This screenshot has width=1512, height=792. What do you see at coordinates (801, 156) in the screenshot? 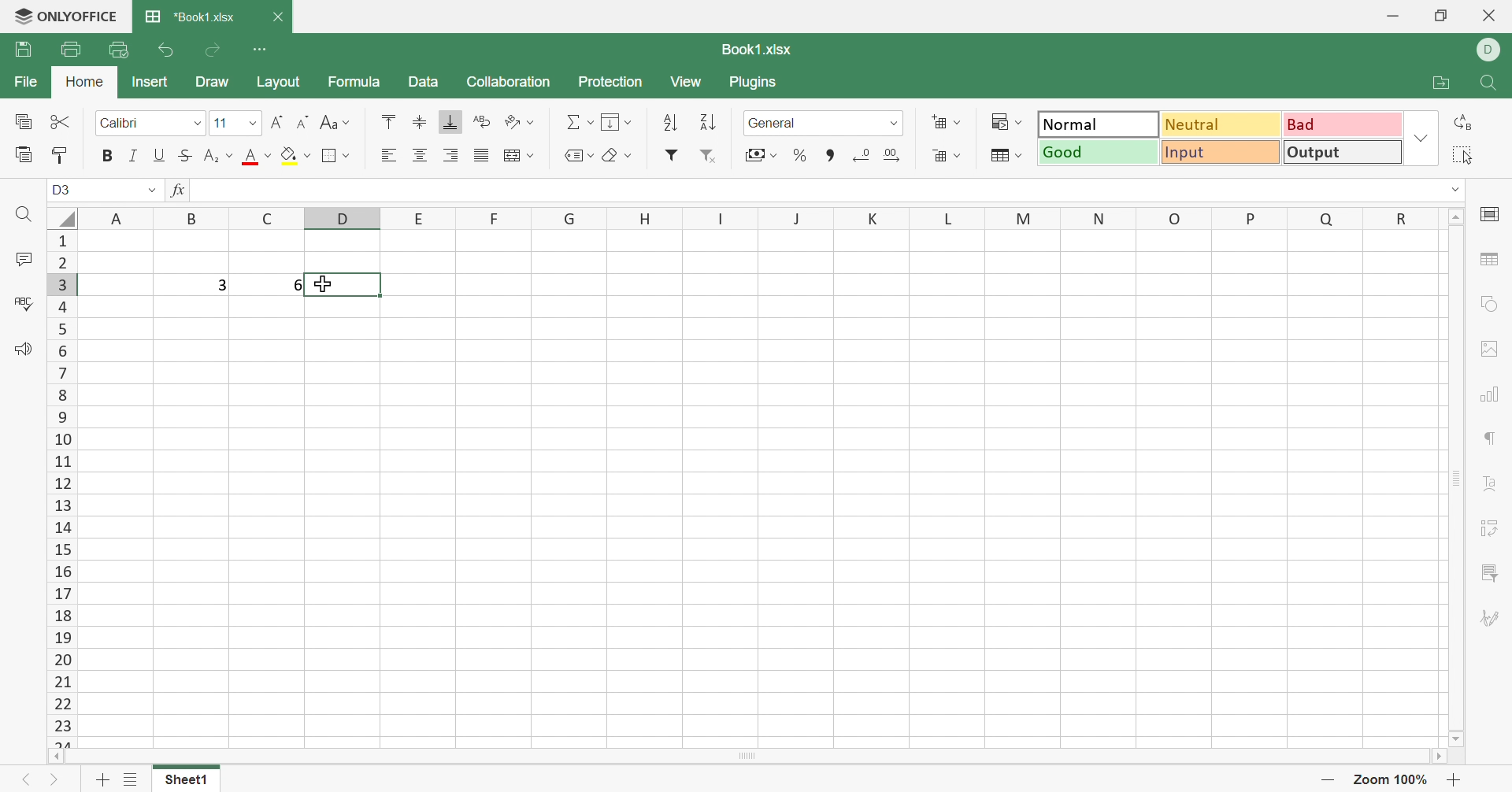
I see `Percent style` at bounding box center [801, 156].